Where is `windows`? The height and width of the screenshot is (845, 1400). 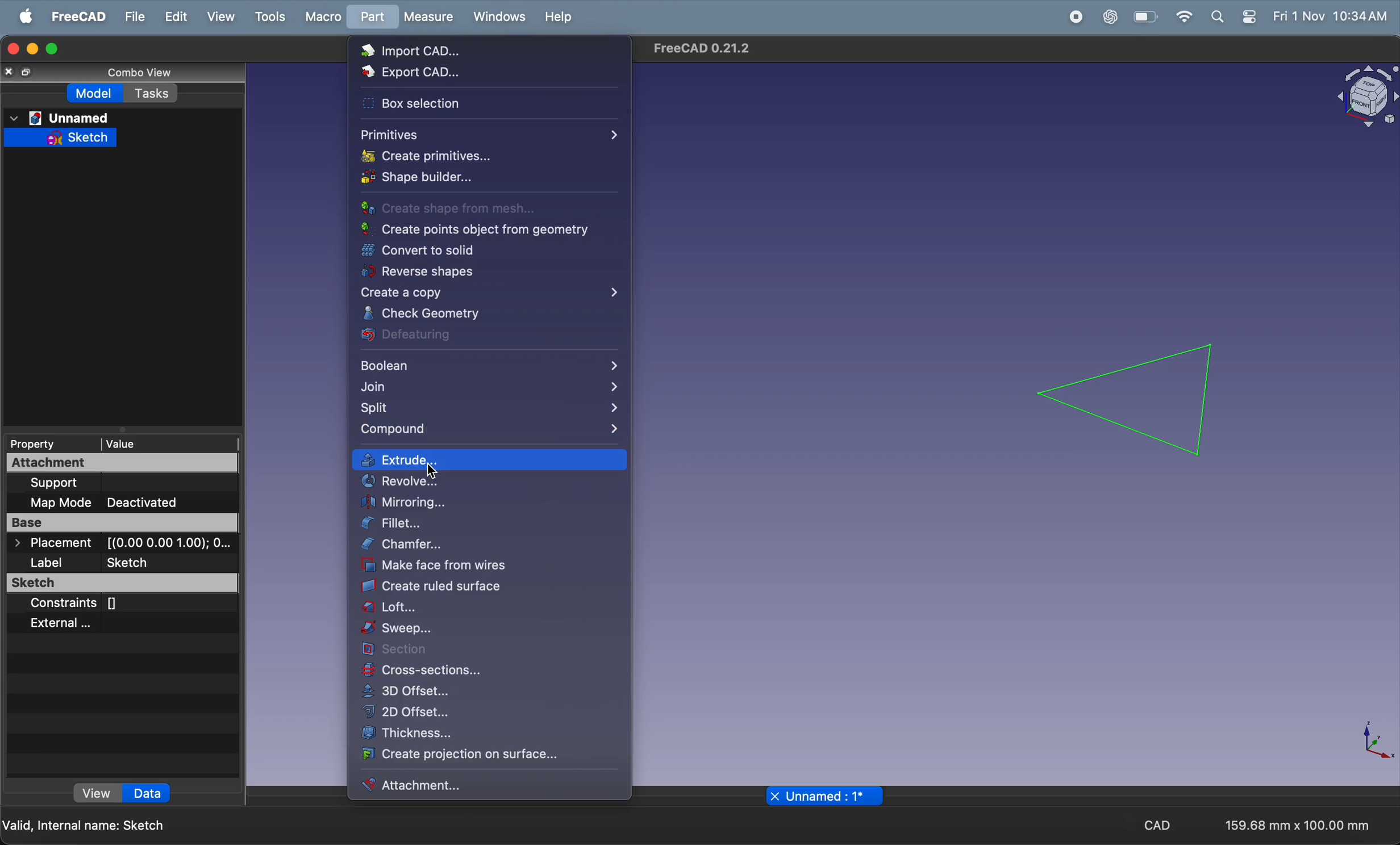
windows is located at coordinates (499, 18).